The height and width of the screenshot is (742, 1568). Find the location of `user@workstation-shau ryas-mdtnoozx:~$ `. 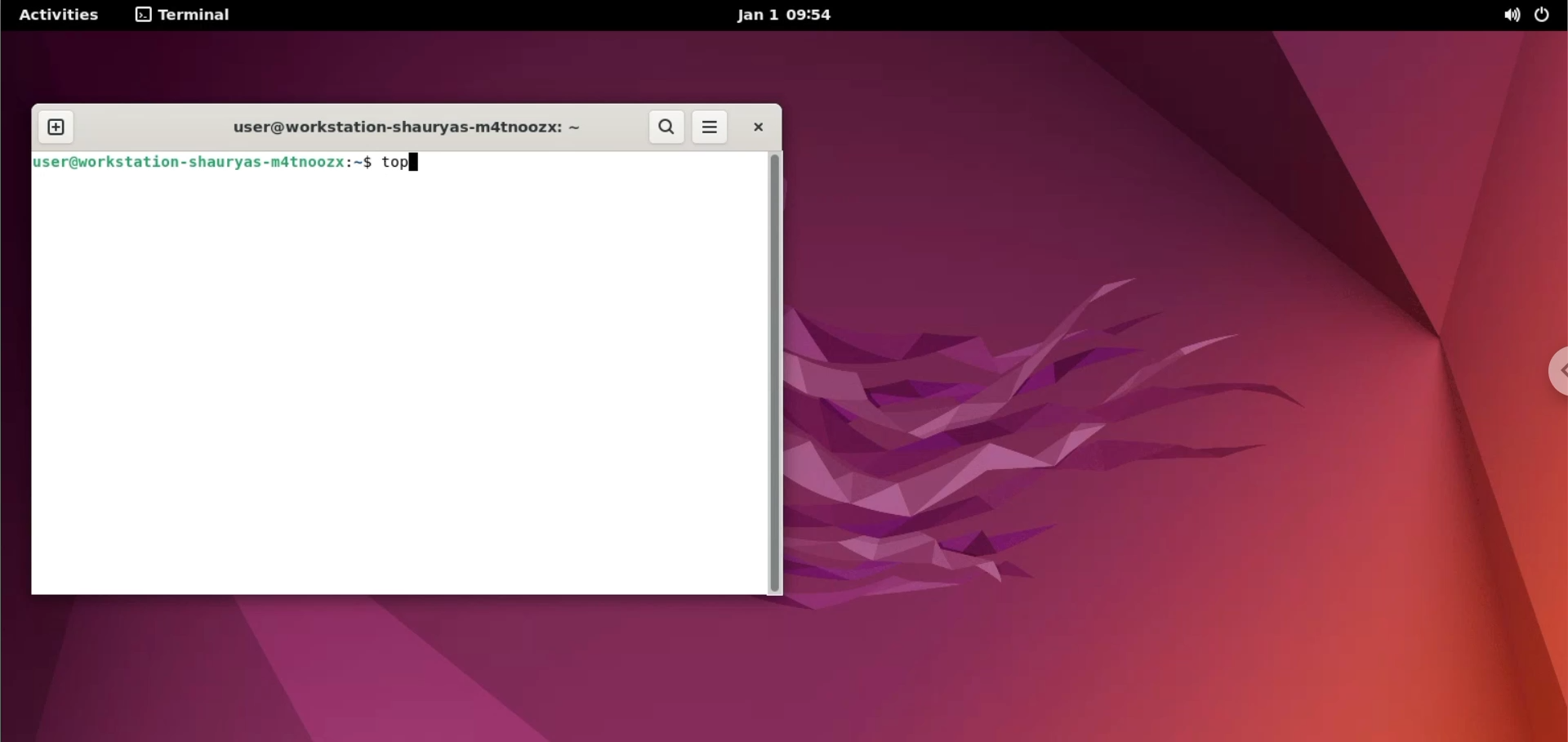

user@workstation-shau ryas-mdtnoozx:~$  is located at coordinates (199, 163).